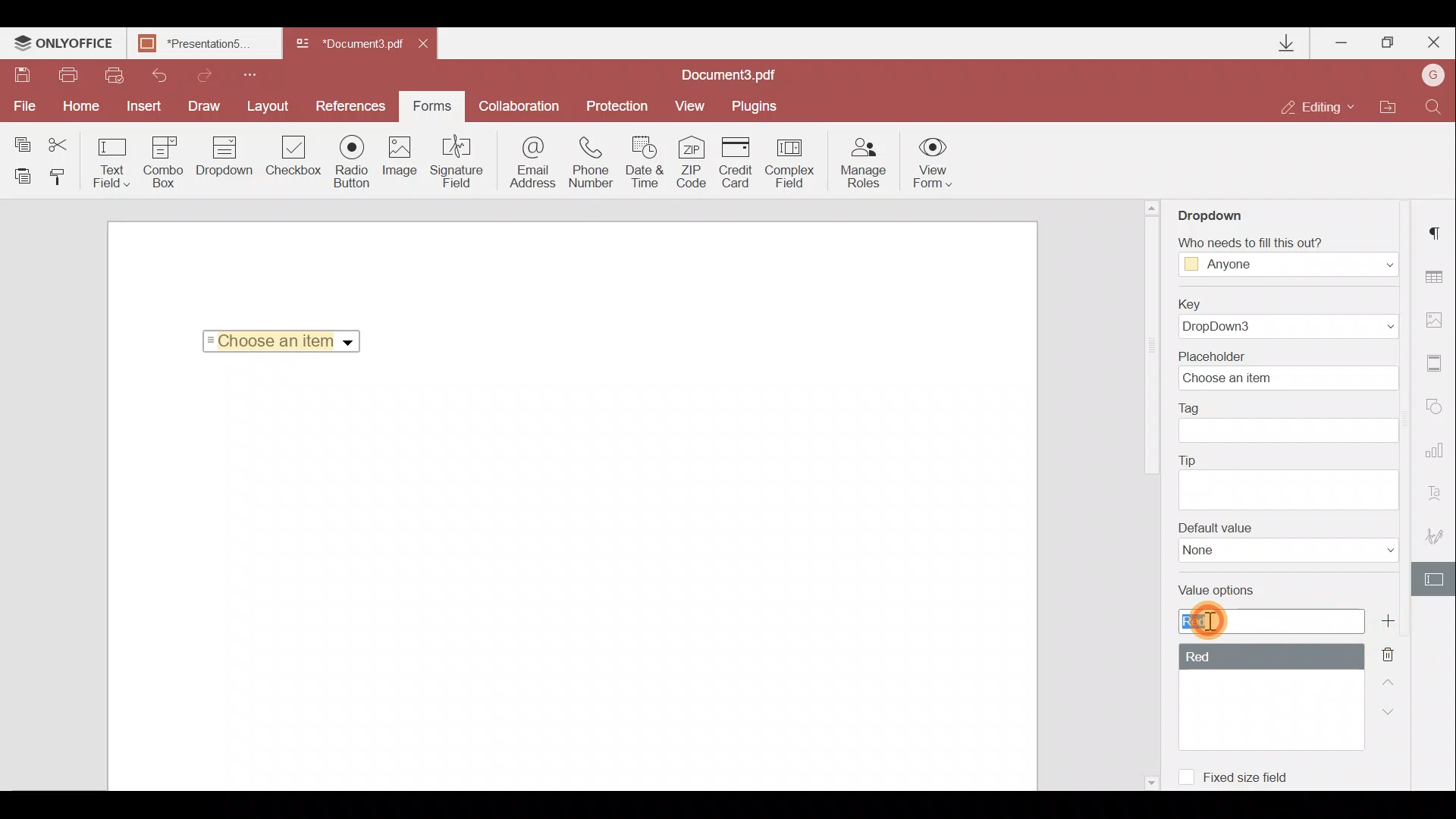  I want to click on Phone number, so click(593, 162).